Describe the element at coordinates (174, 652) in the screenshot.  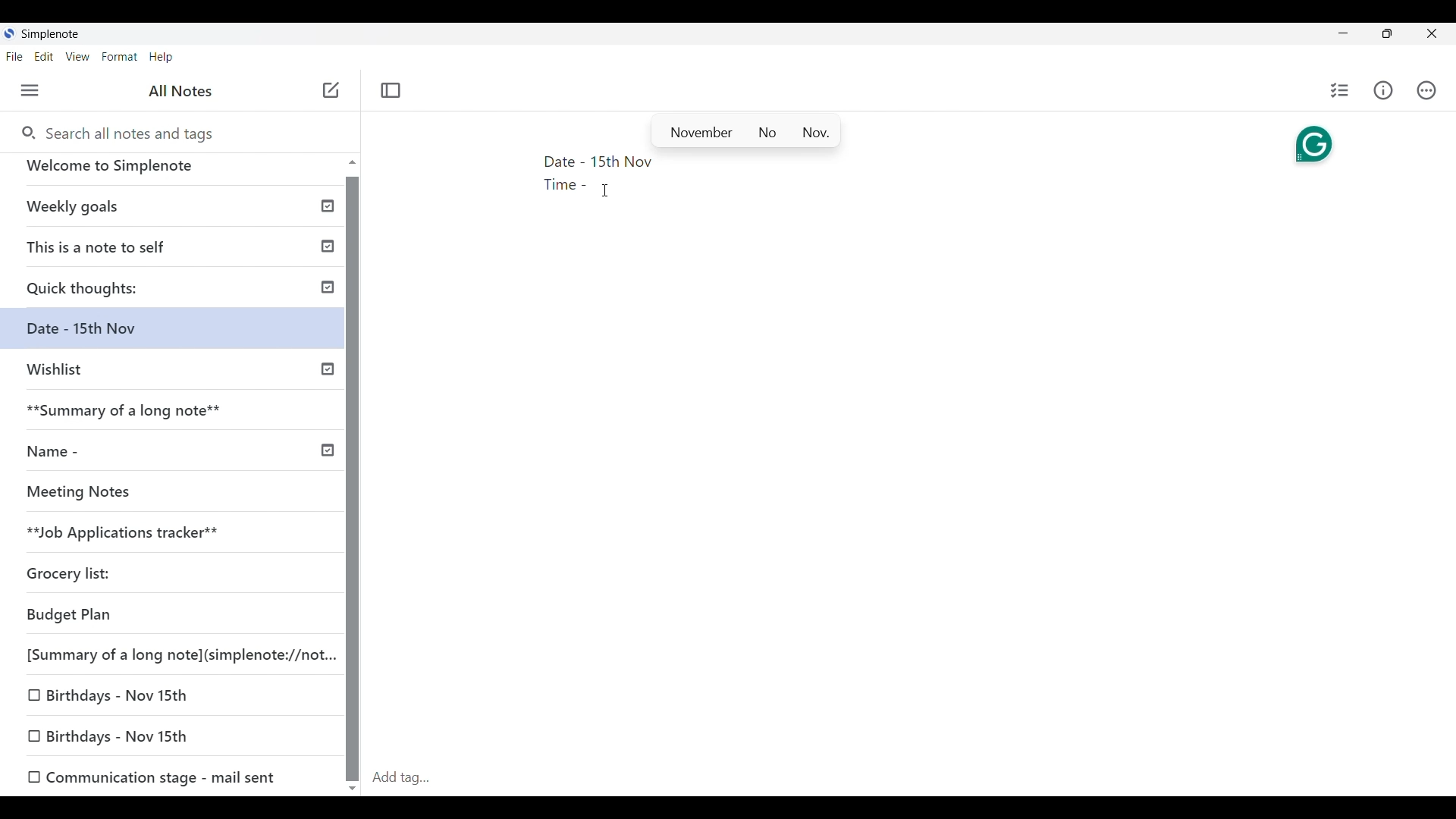
I see `Unpublished note` at that location.